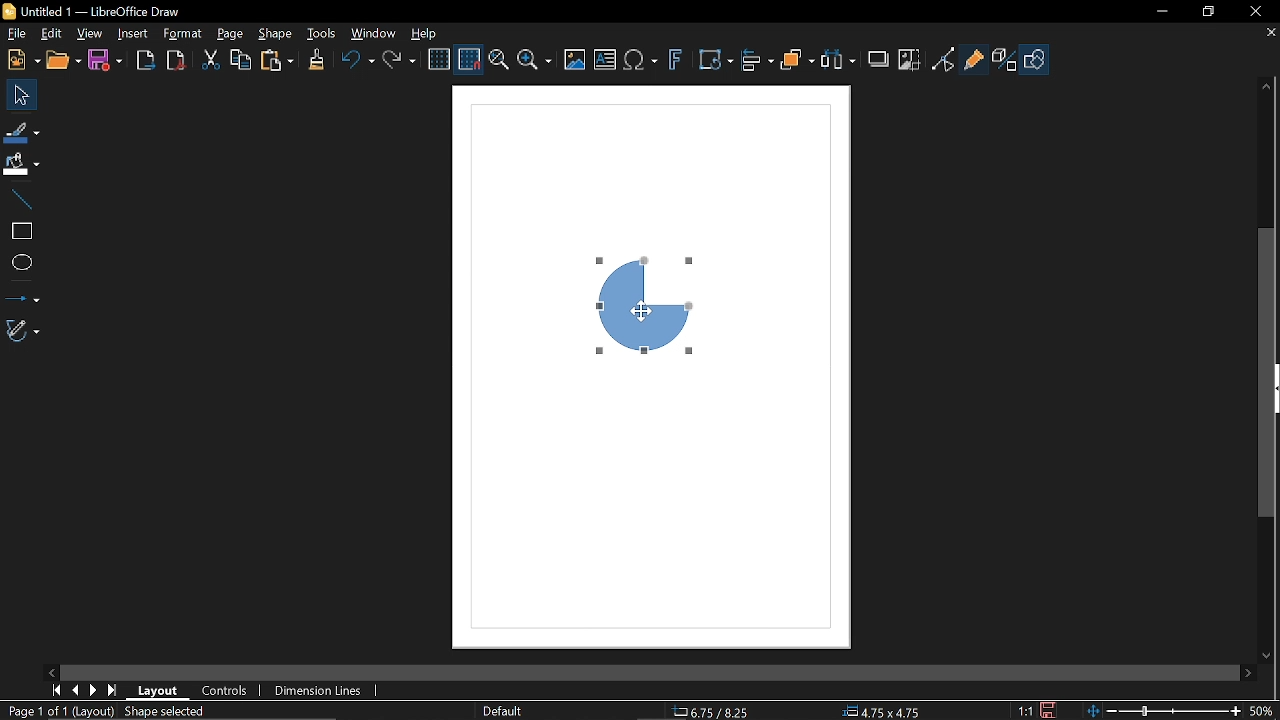 The image size is (1280, 720). Describe the element at coordinates (470, 58) in the screenshot. I see `Display to grid` at that location.